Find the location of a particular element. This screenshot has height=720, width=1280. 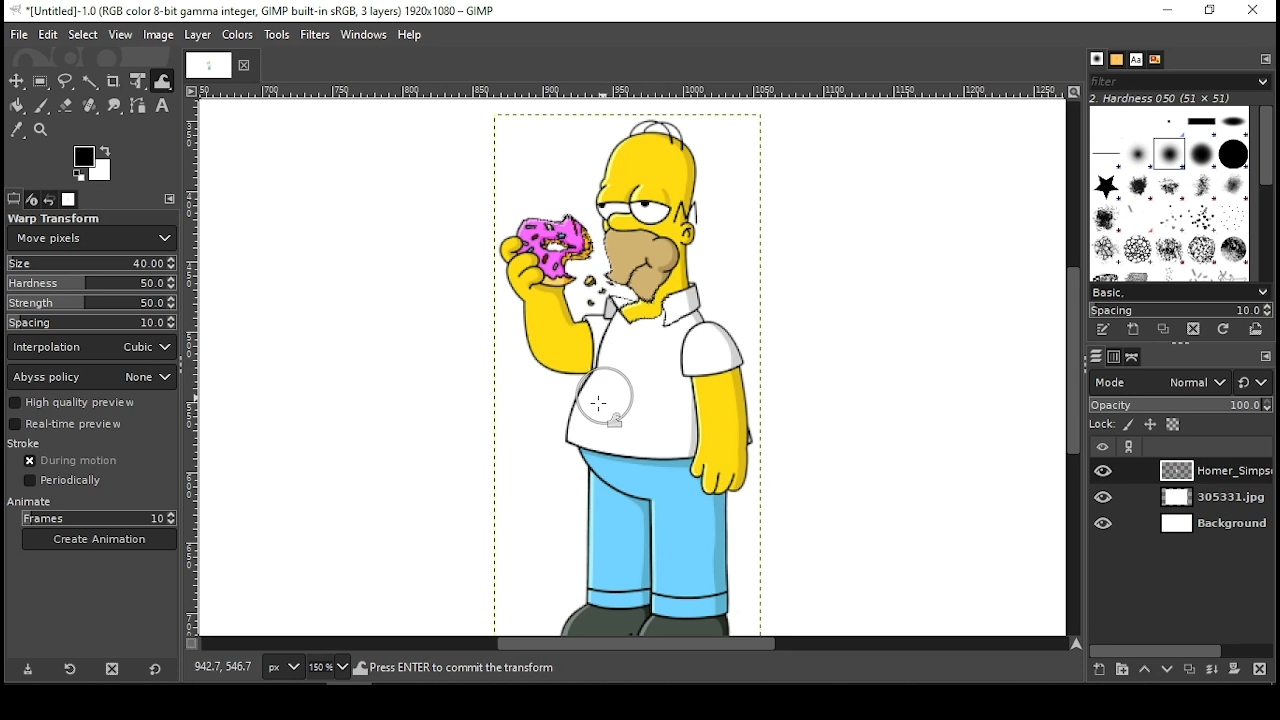

vertical scale is located at coordinates (639, 90).